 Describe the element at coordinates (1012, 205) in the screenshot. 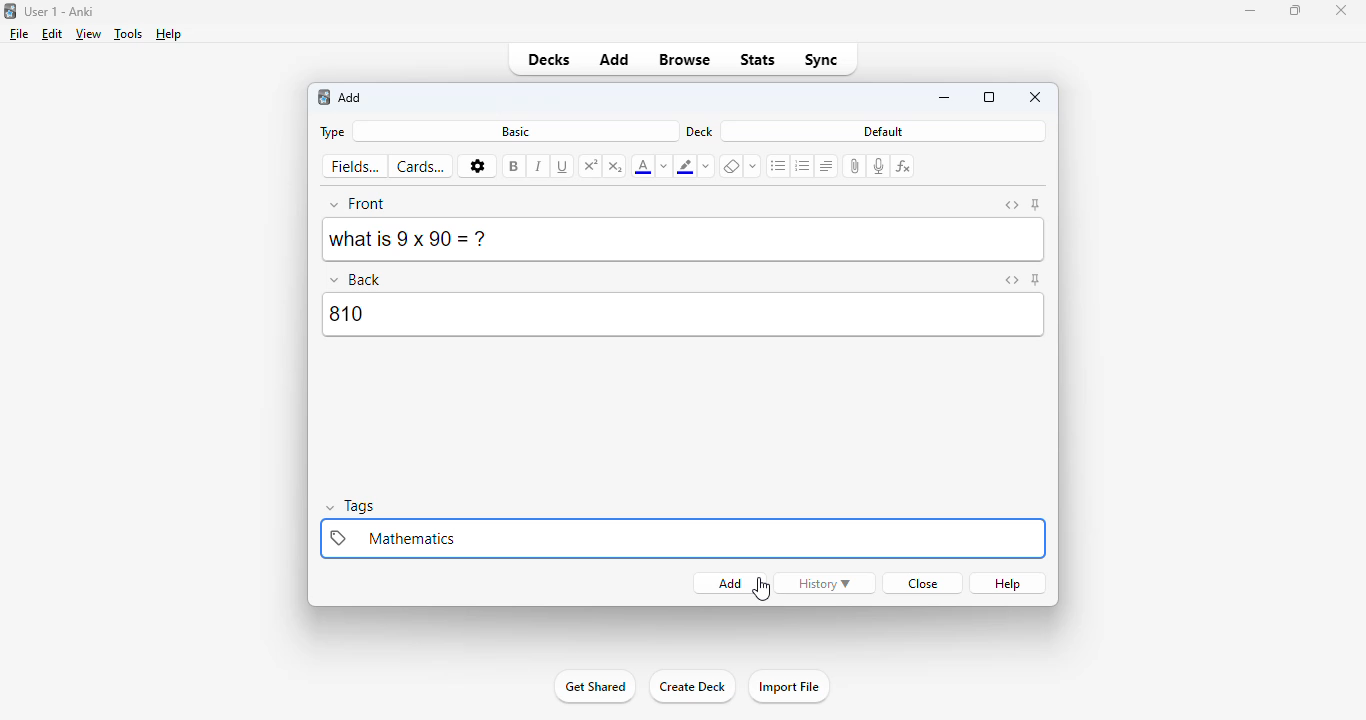

I see `toggle HTML editor` at that location.